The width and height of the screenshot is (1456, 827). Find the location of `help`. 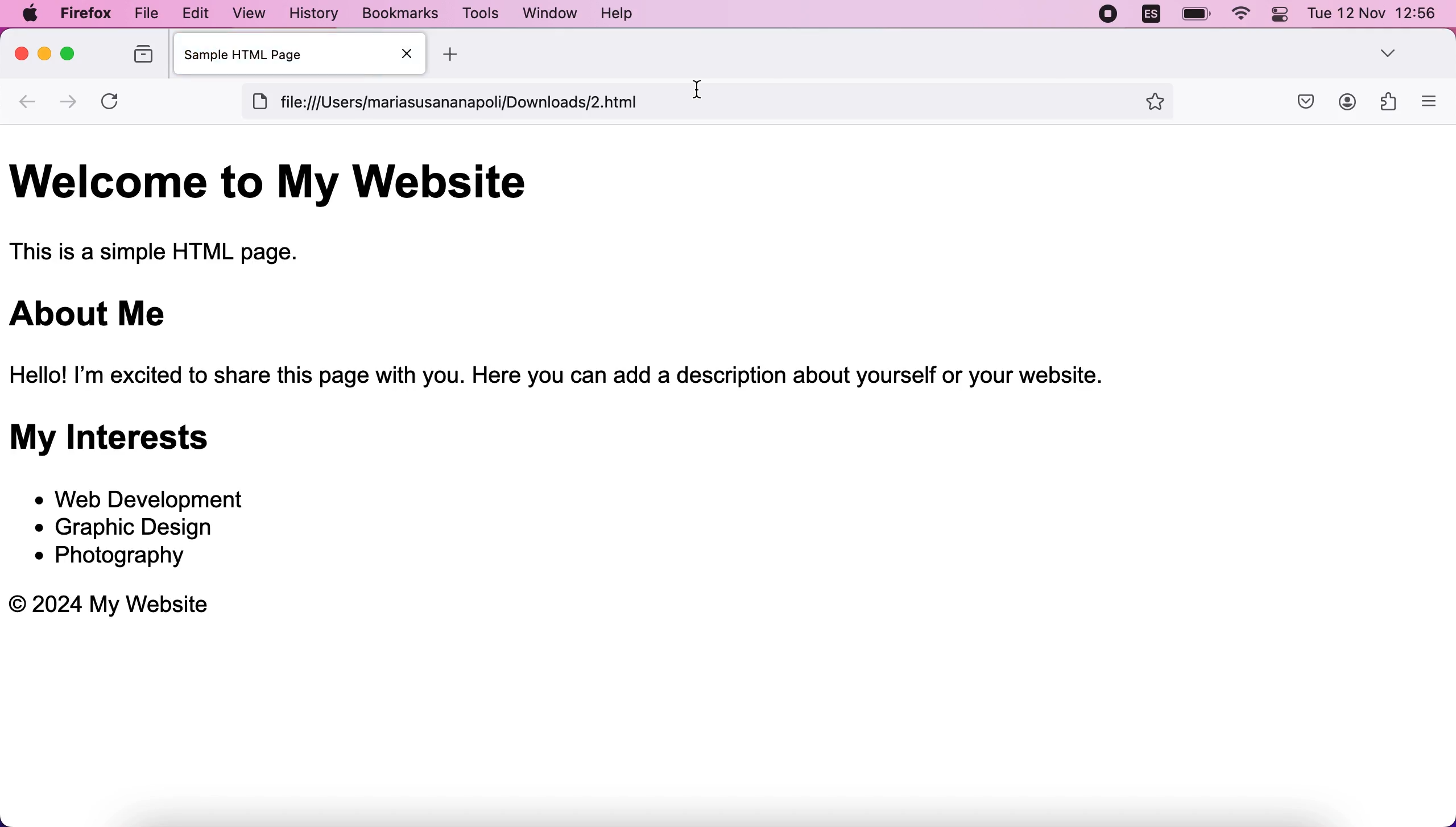

help is located at coordinates (623, 13).